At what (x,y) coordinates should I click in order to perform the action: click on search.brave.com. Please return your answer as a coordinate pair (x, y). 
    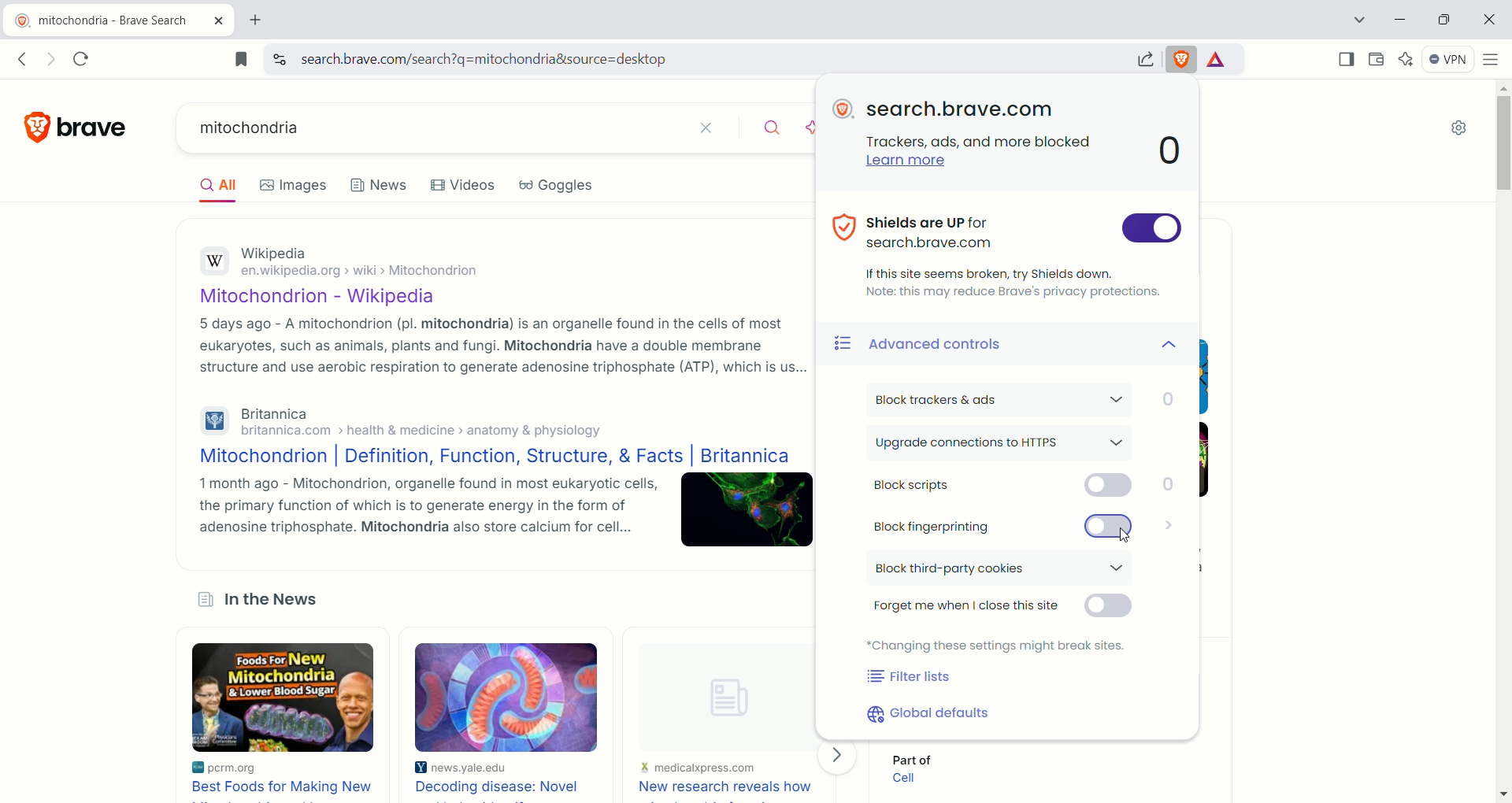
    Looking at the image, I should click on (958, 110).